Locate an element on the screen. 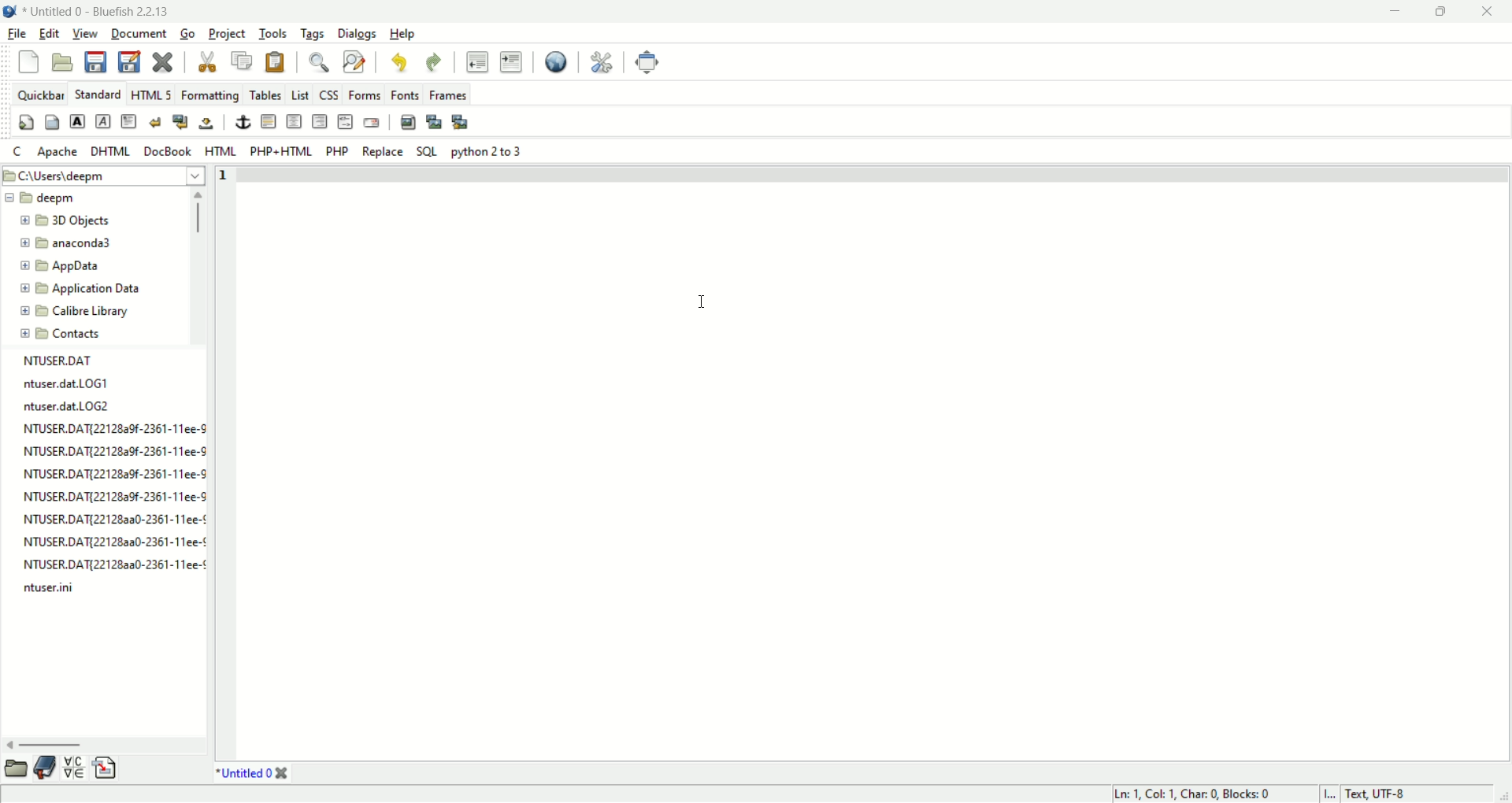 The height and width of the screenshot is (803, 1512). document is located at coordinates (138, 31).